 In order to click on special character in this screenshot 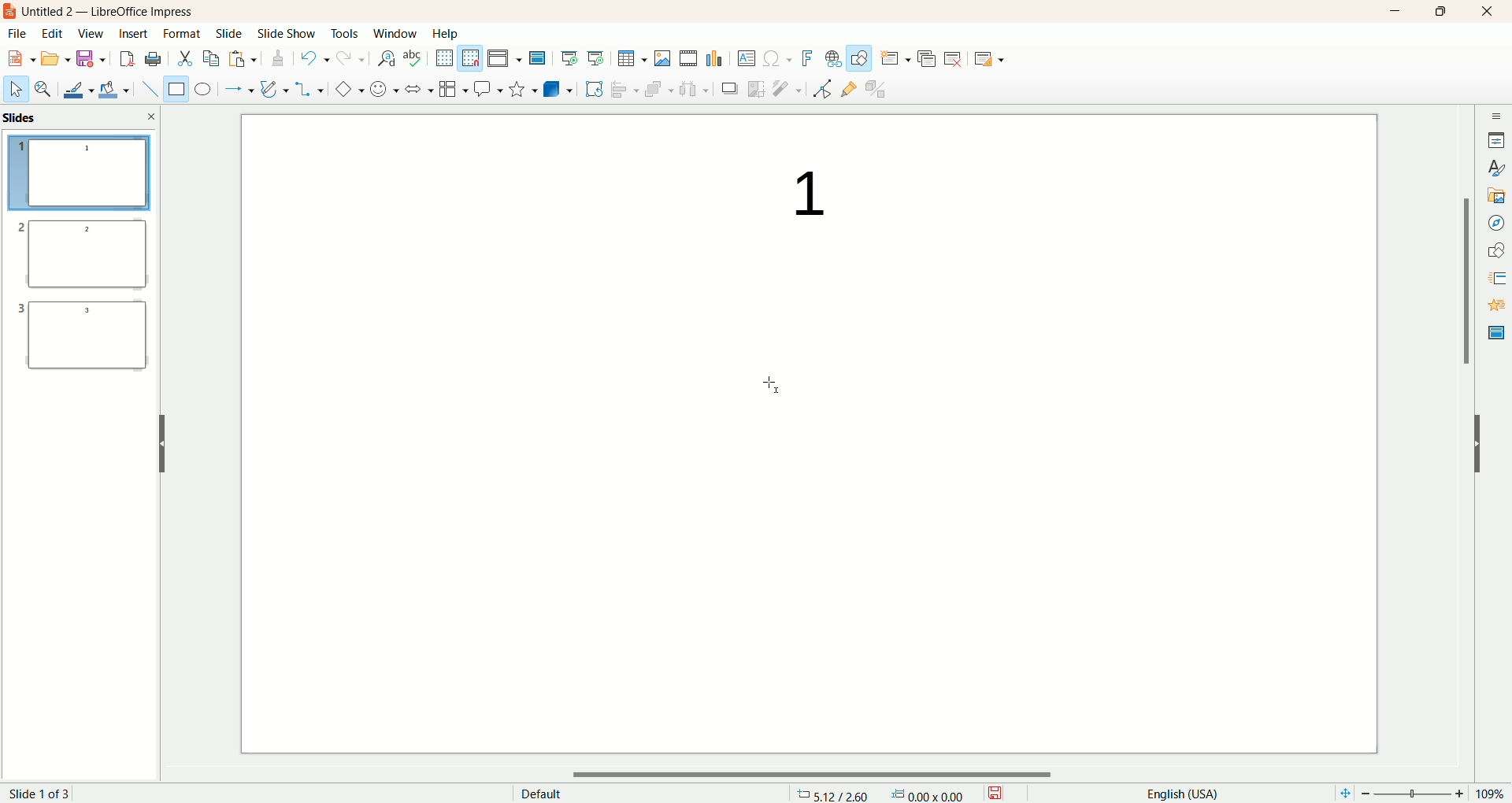, I will do `click(776, 59)`.